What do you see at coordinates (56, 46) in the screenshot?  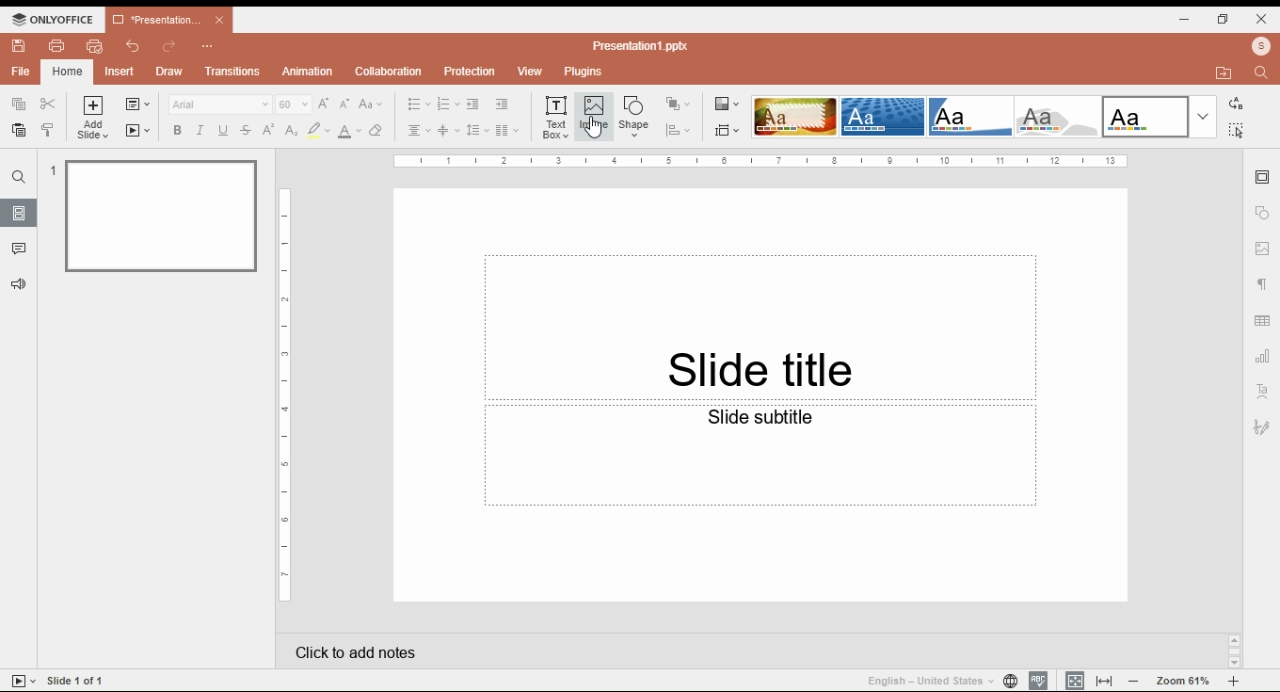 I see `print file` at bounding box center [56, 46].